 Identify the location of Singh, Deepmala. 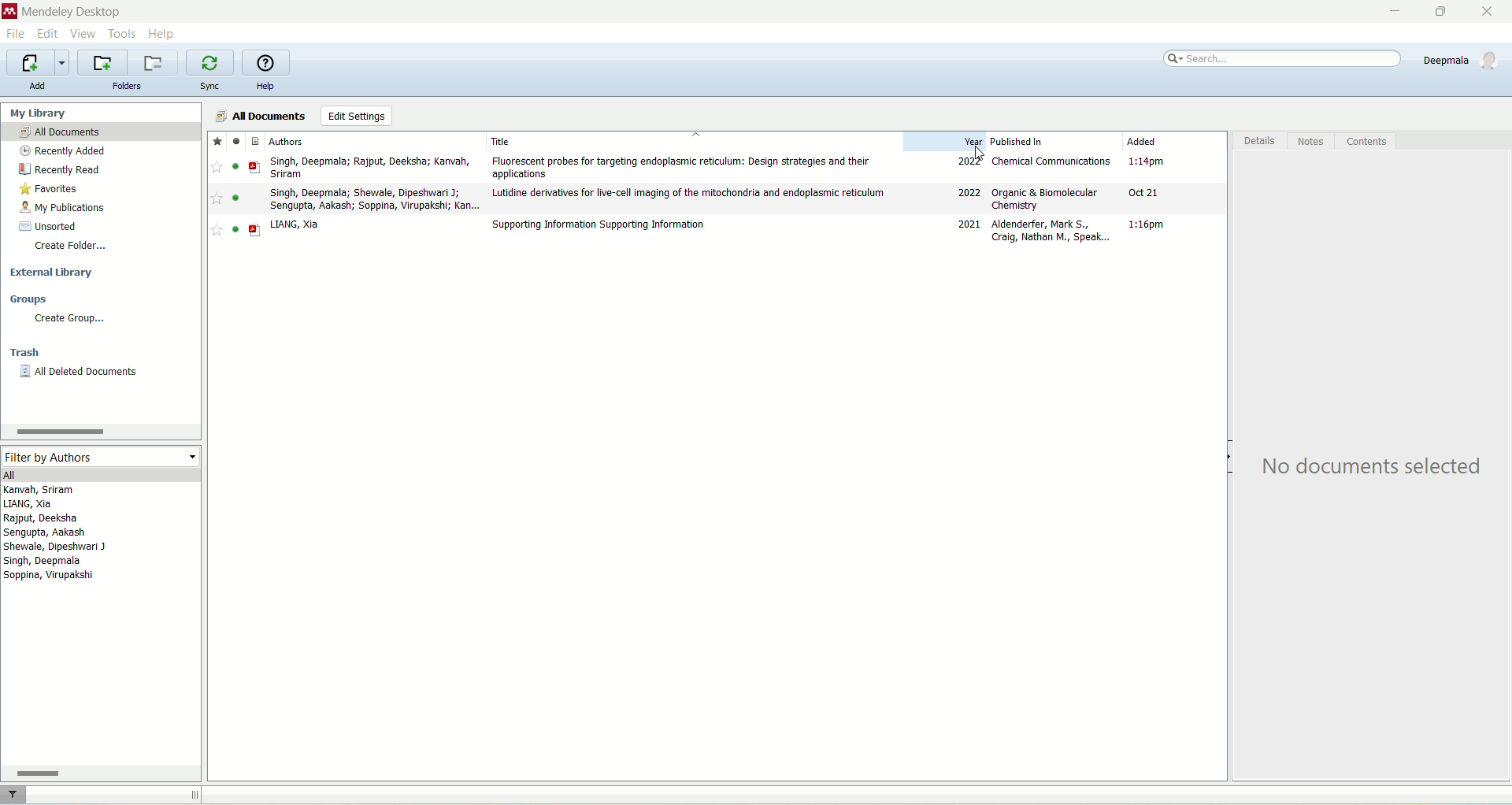
(46, 559).